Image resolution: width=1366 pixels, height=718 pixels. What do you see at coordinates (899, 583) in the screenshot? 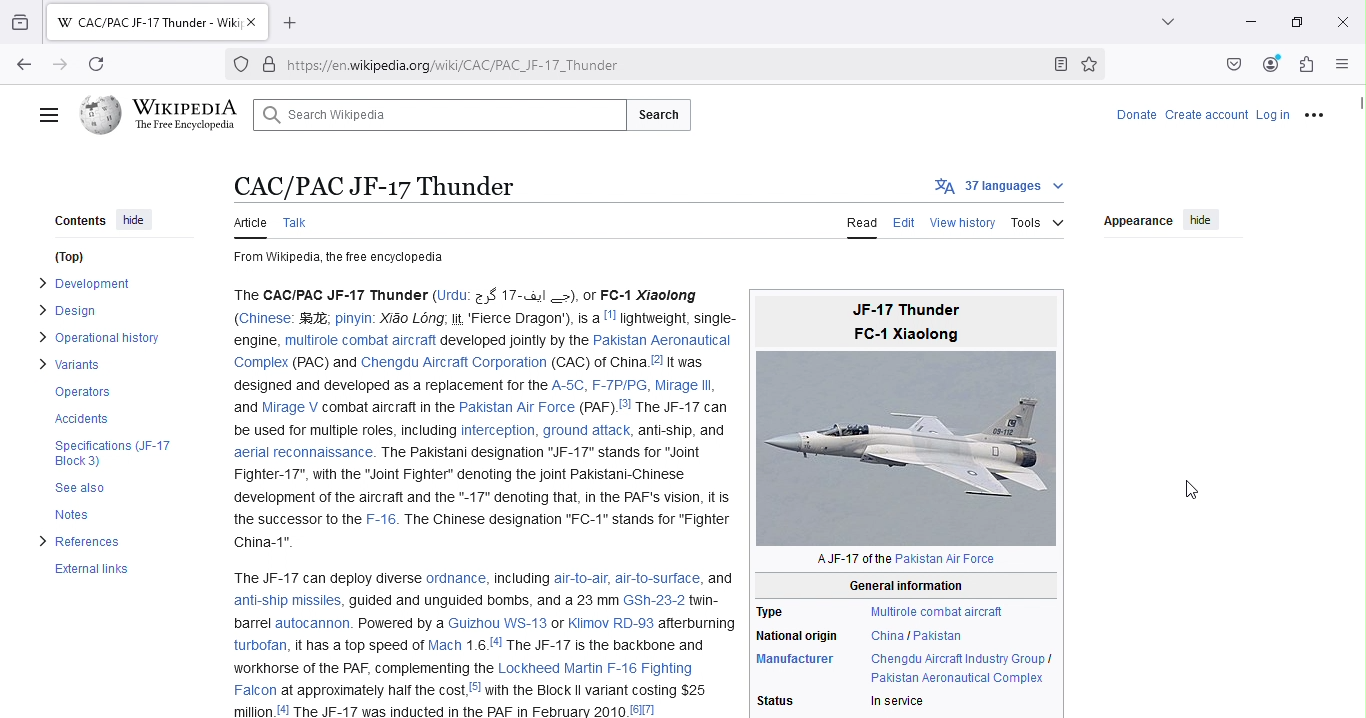
I see `‘General information` at bounding box center [899, 583].